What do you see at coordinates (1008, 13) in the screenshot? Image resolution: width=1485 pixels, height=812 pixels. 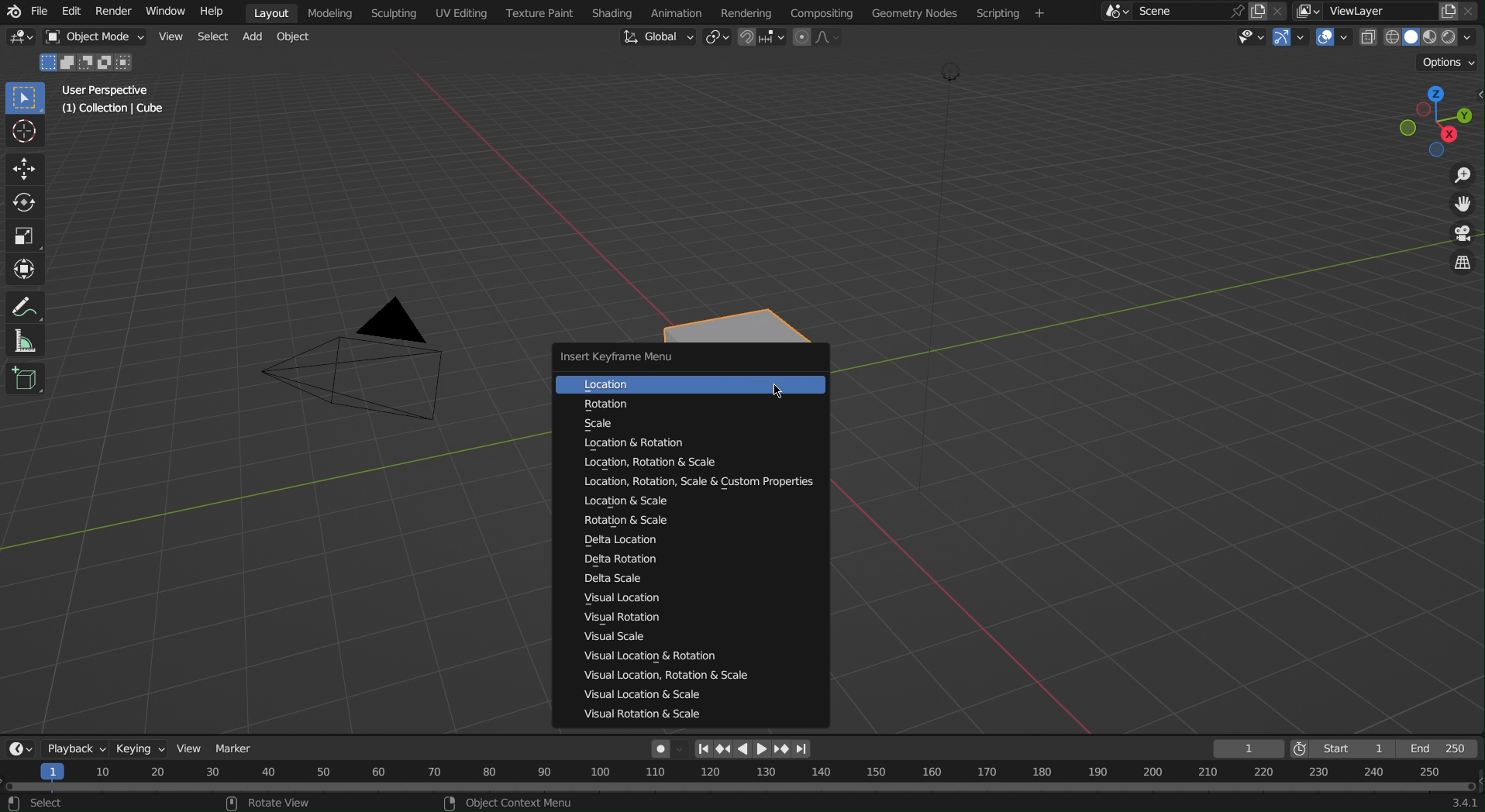 I see `Scripting` at bounding box center [1008, 13].